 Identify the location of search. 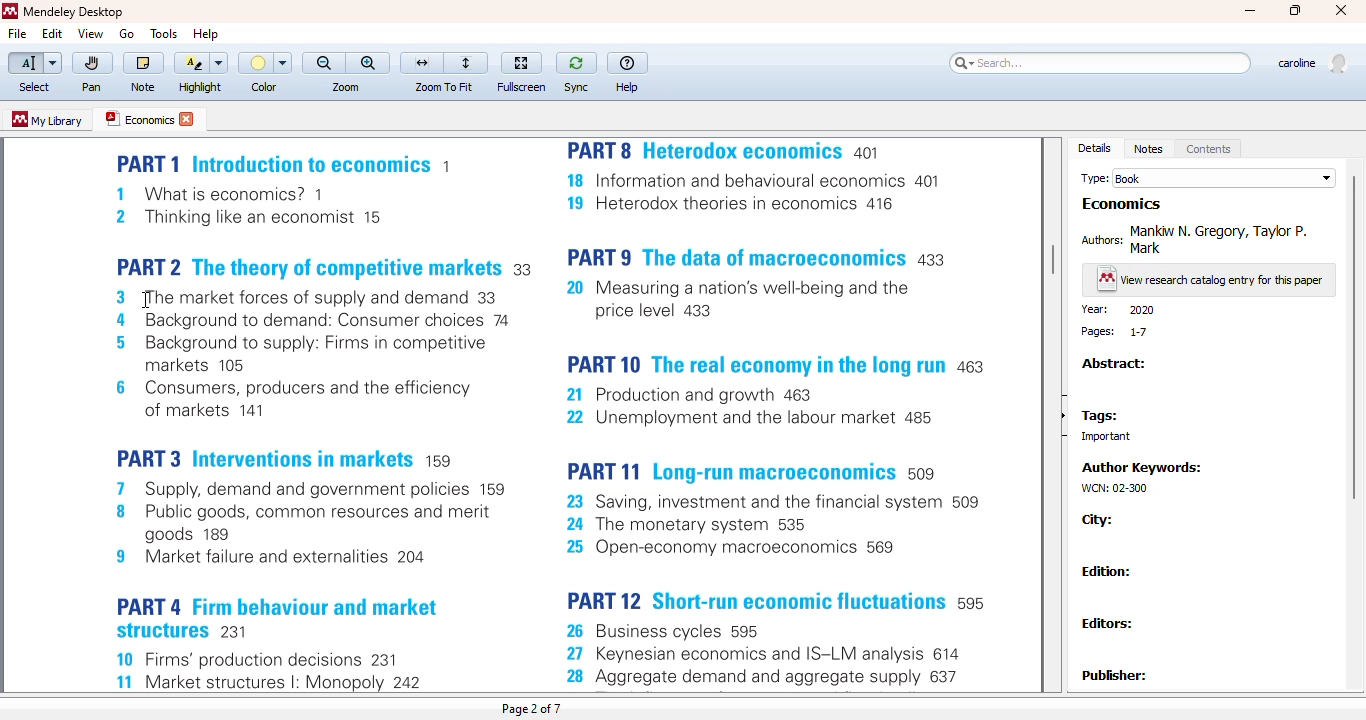
(1100, 64).